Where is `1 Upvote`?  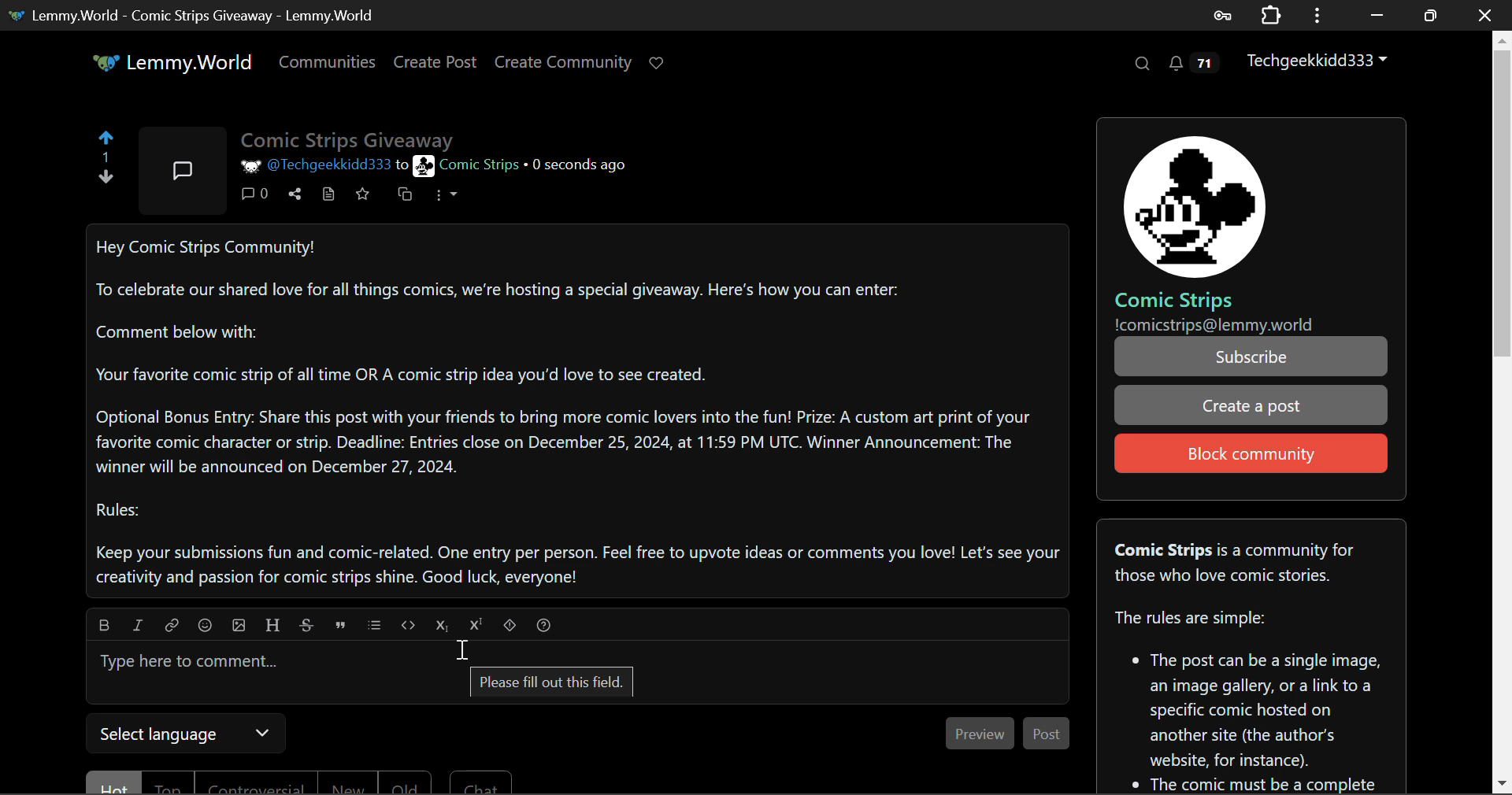 1 Upvote is located at coordinates (105, 157).